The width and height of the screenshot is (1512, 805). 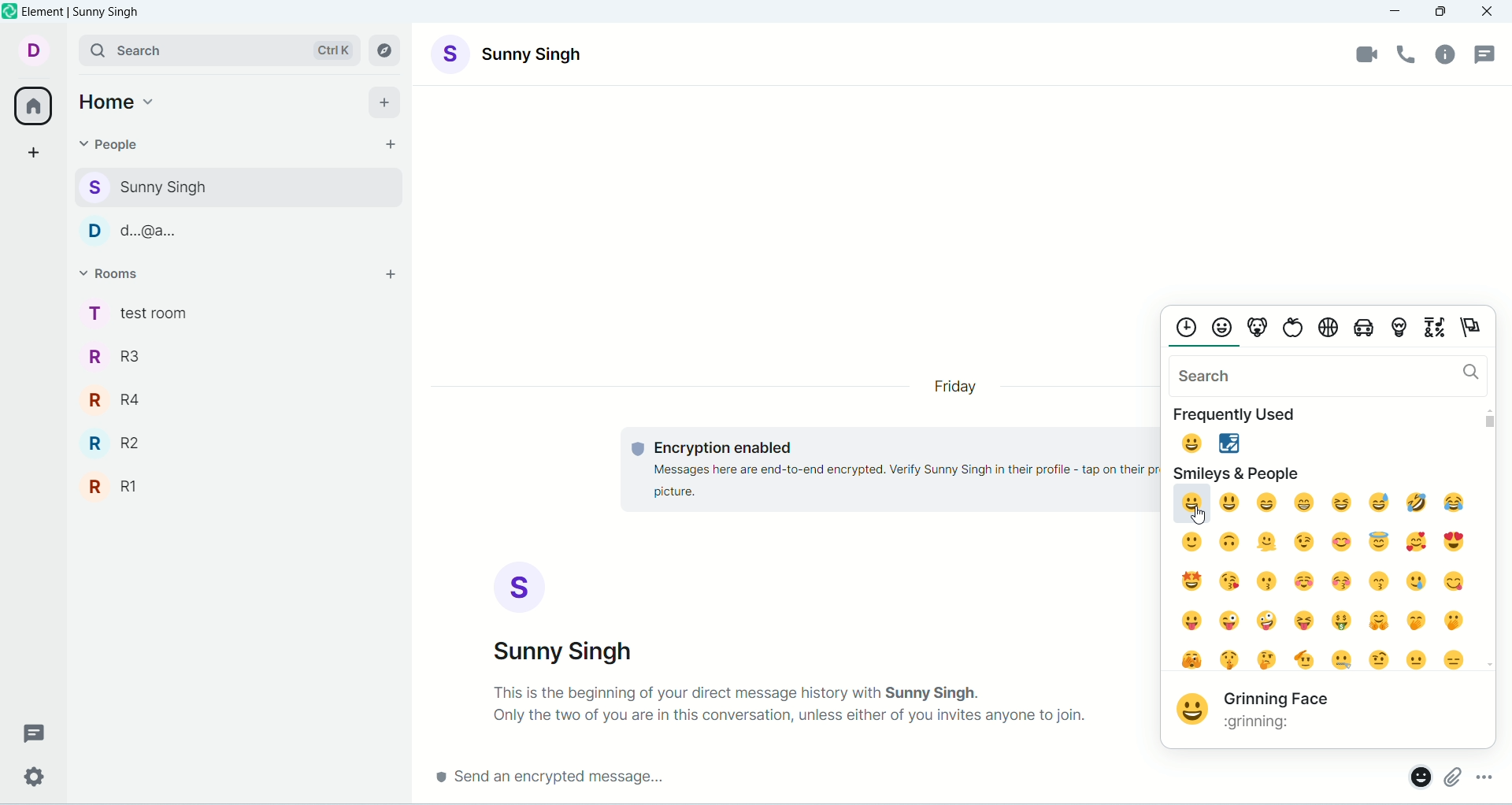 I want to click on R4, so click(x=239, y=394).